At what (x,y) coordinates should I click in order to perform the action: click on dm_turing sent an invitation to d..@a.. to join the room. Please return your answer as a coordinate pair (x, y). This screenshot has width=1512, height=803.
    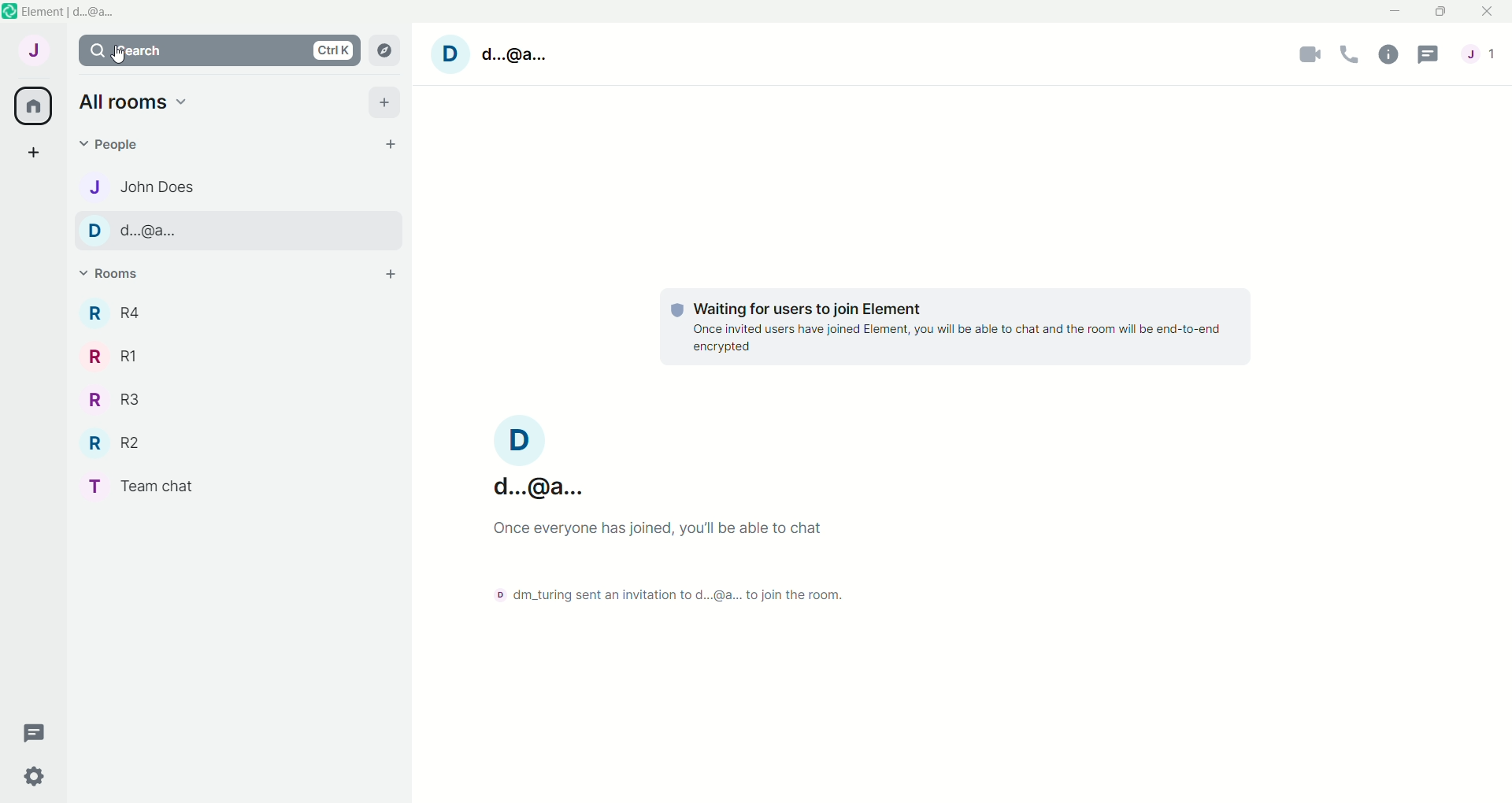
    Looking at the image, I should click on (658, 595).